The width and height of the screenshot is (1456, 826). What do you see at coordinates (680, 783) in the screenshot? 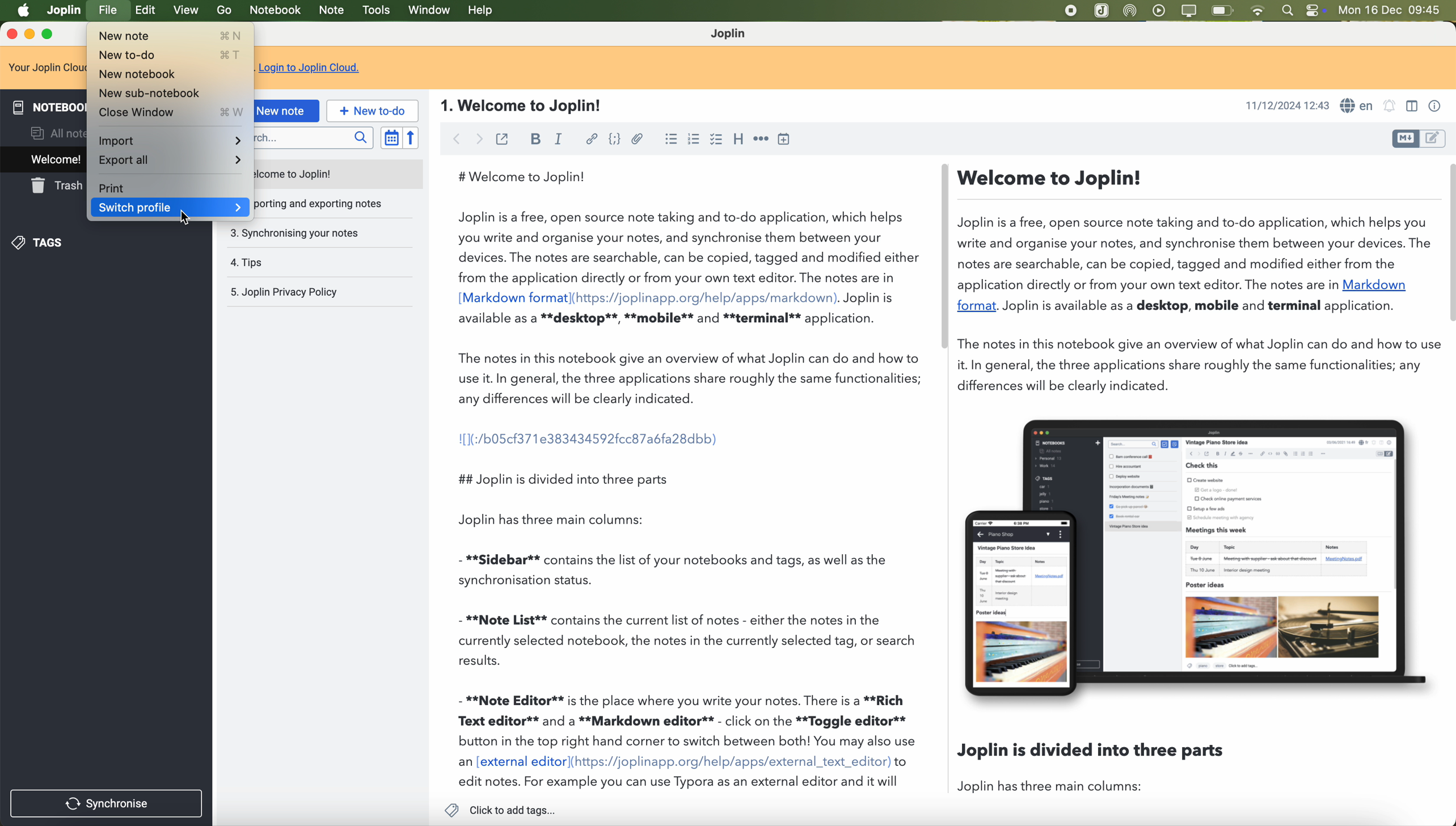
I see `edit notes. For example you can use Typora as an external editor and it will` at bounding box center [680, 783].